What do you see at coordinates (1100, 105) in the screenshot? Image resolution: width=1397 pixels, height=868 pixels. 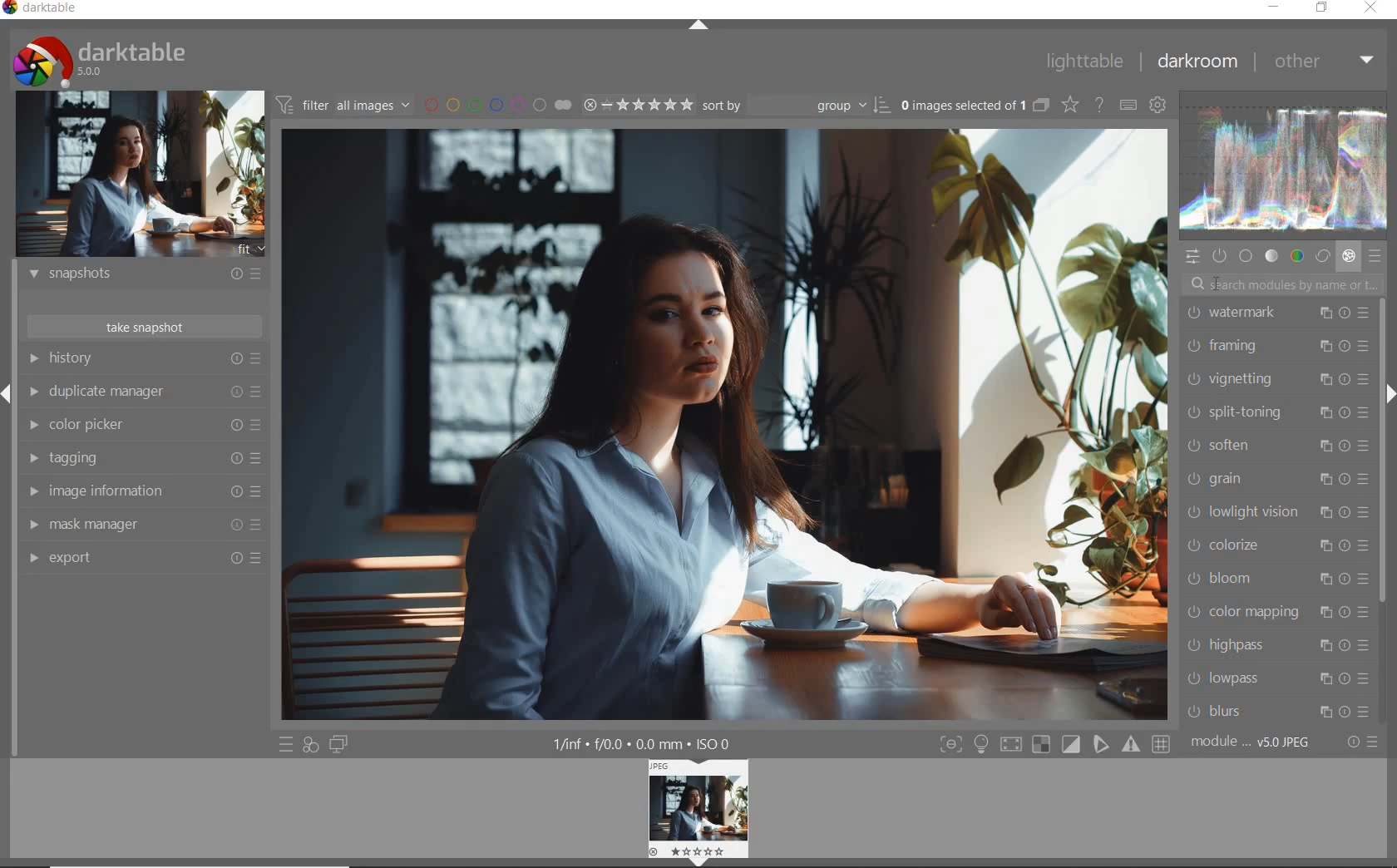 I see `enable online help` at bounding box center [1100, 105].